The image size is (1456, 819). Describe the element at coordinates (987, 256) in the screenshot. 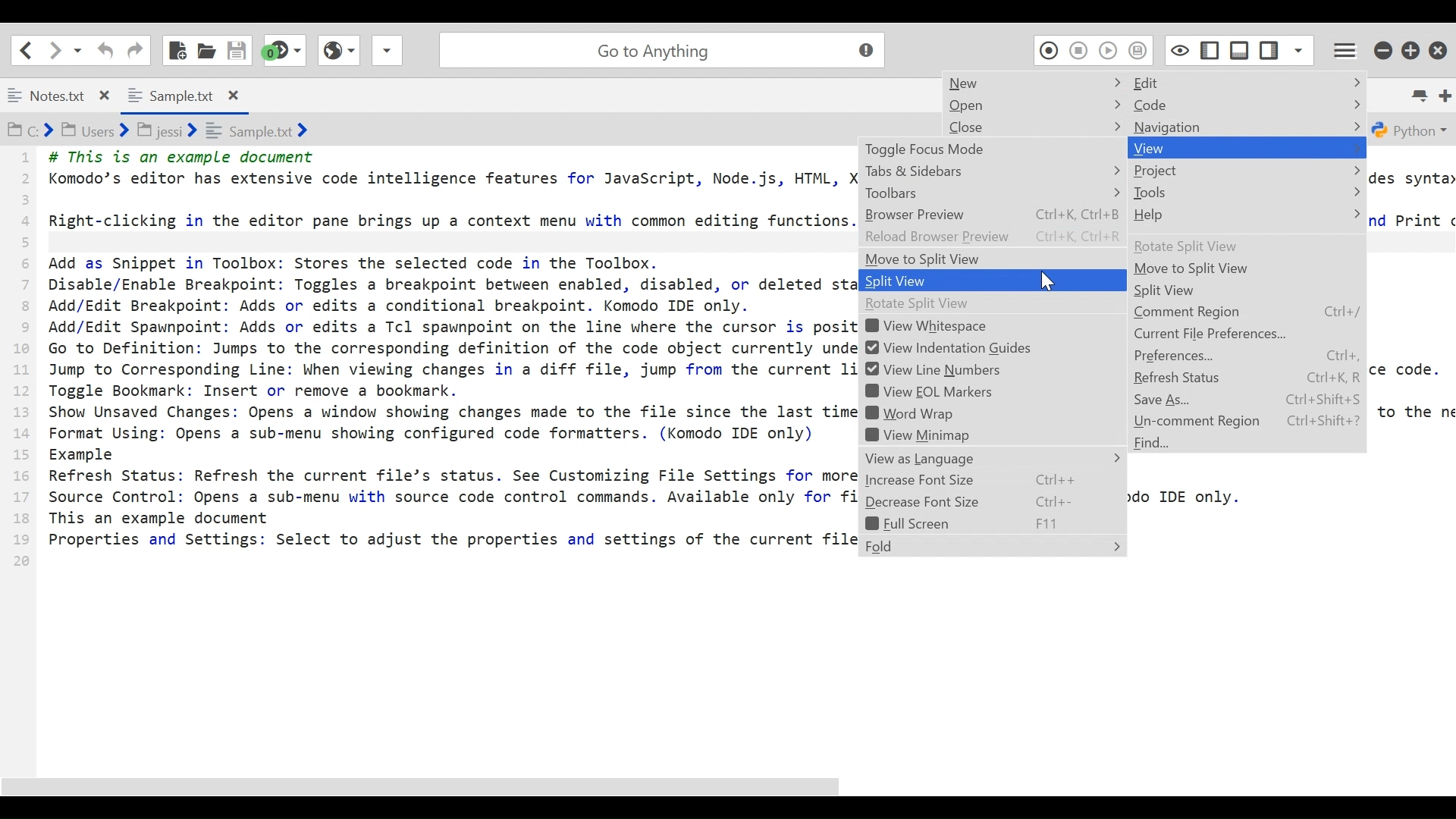

I see `Move to Split View` at that location.